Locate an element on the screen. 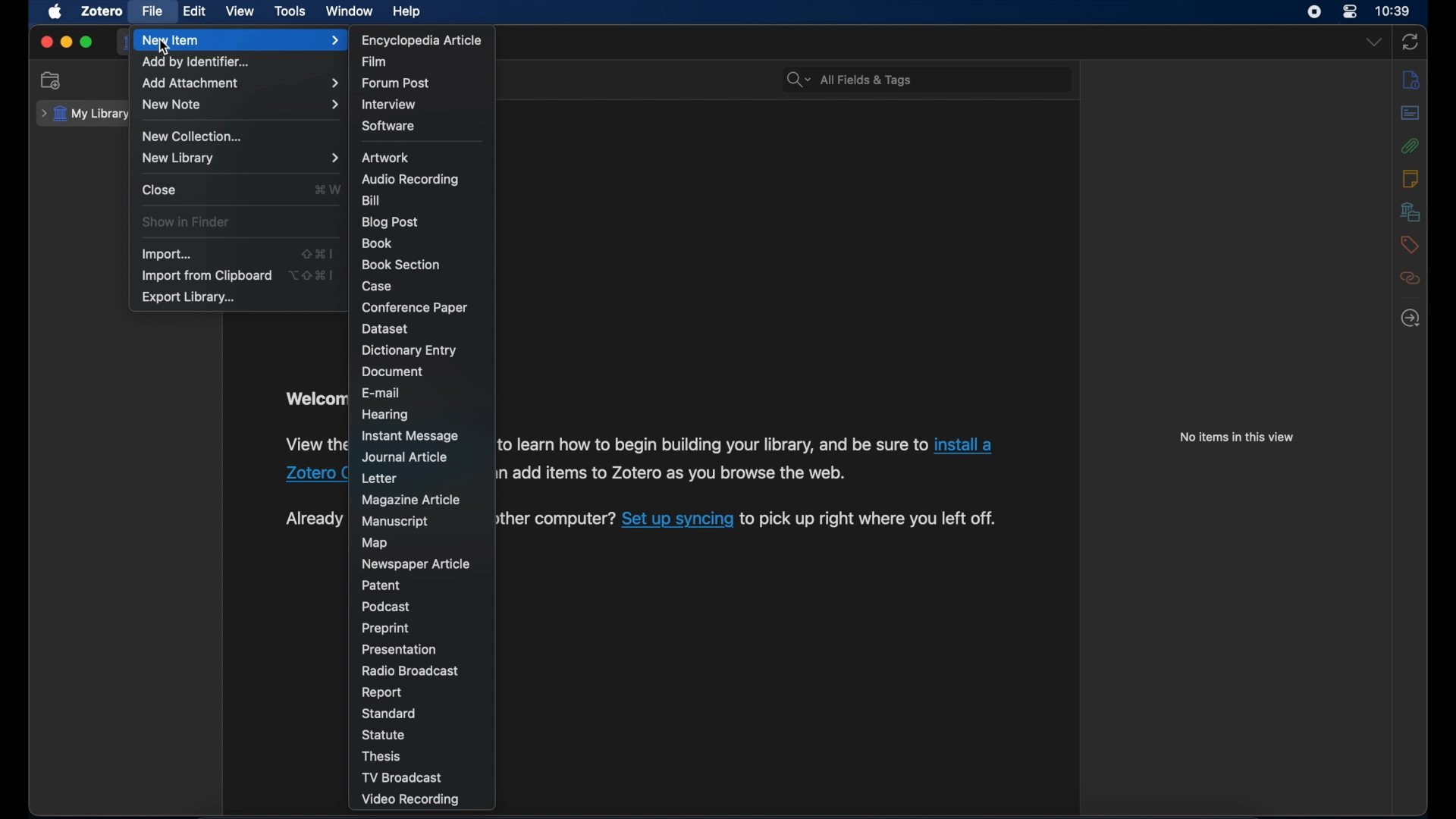  close is located at coordinates (161, 190).